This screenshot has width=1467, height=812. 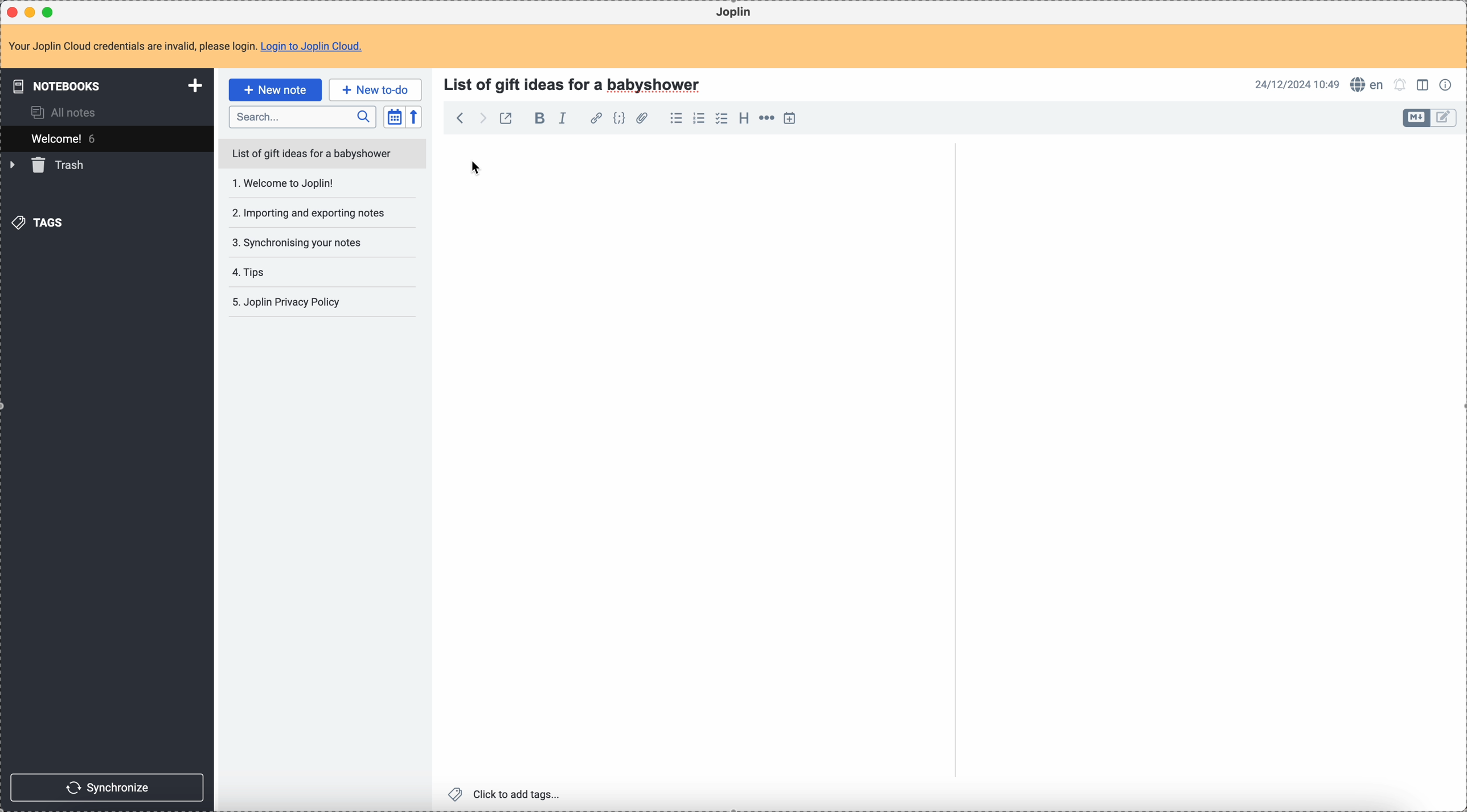 What do you see at coordinates (621, 119) in the screenshot?
I see `code` at bounding box center [621, 119].